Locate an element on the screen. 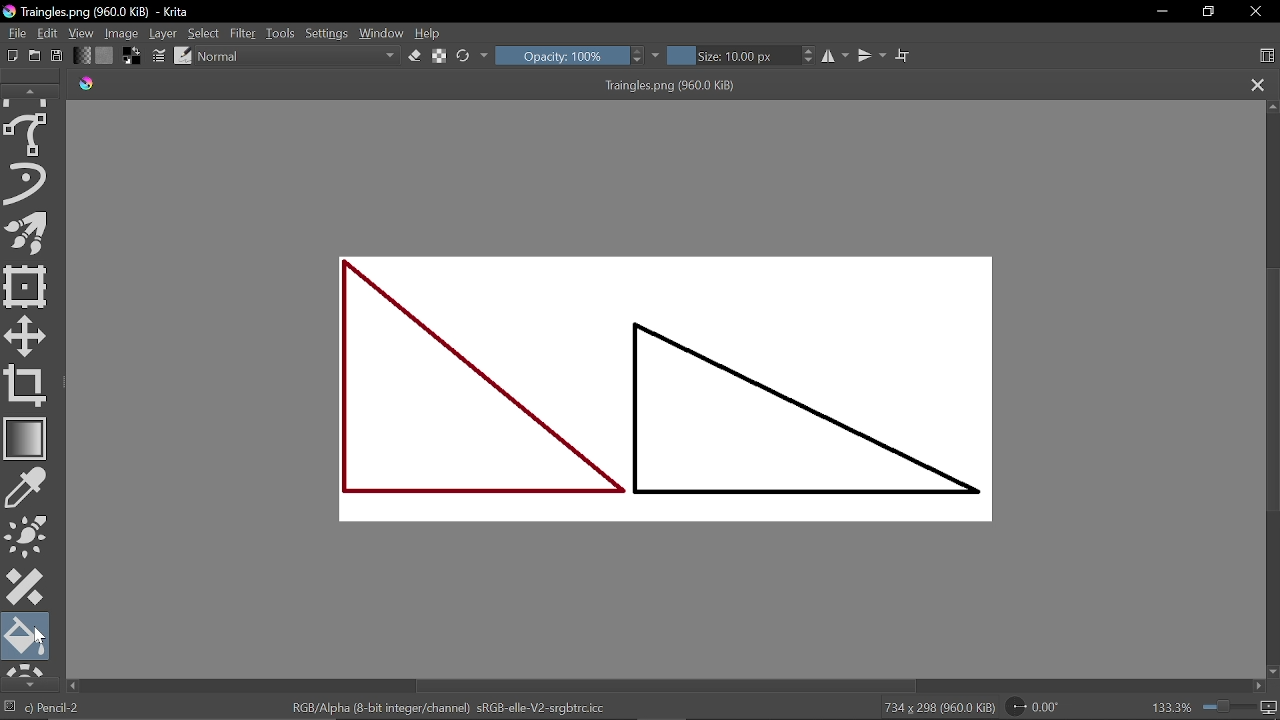  vertical scroll bar is located at coordinates (1272, 377).